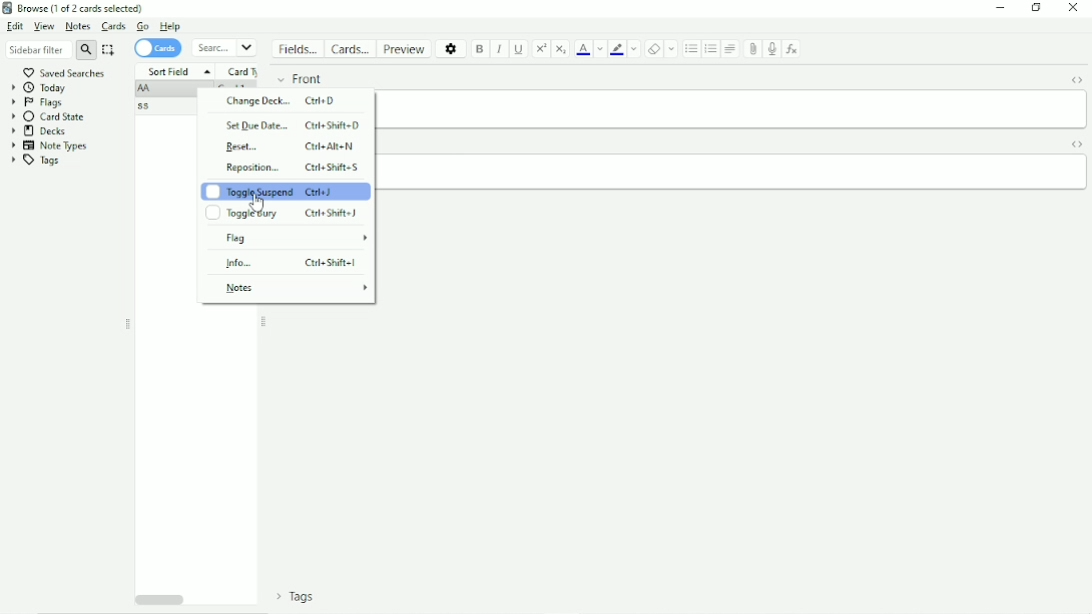  Describe the element at coordinates (634, 49) in the screenshot. I see `Change color` at that location.